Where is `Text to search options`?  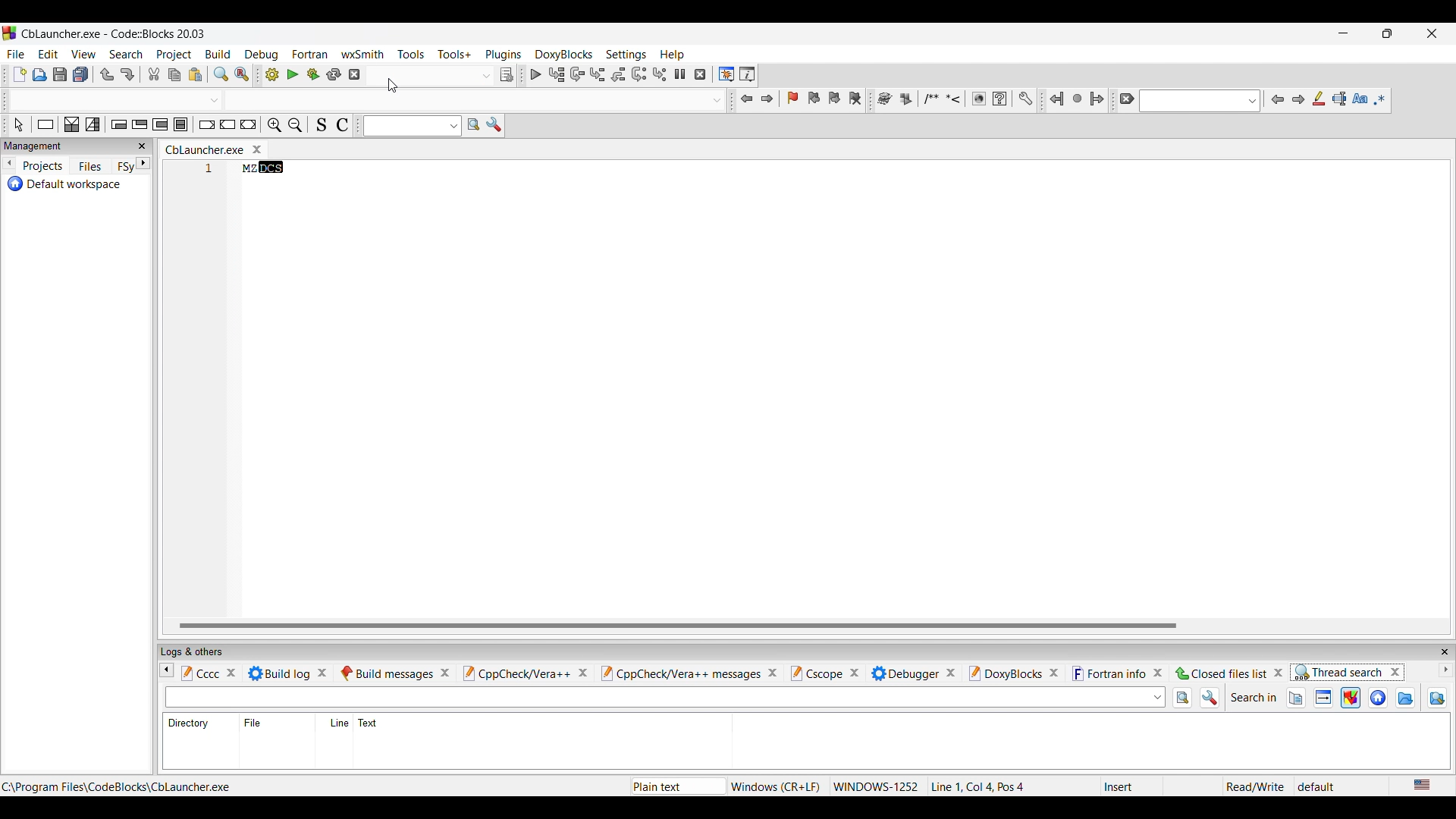
Text to search options is located at coordinates (453, 126).